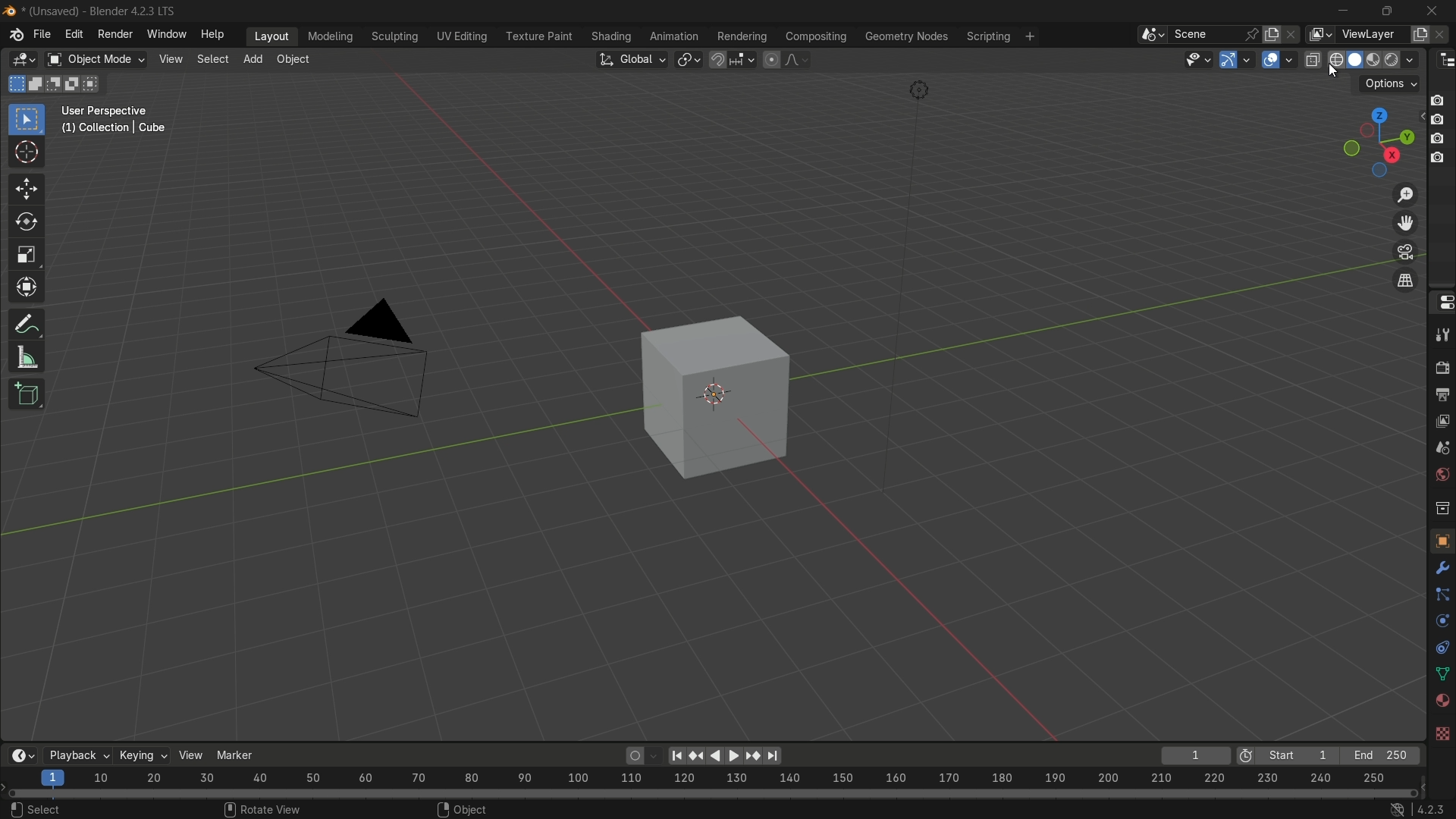 This screenshot has height=819, width=1456. What do you see at coordinates (1421, 33) in the screenshot?
I see `add view layer` at bounding box center [1421, 33].